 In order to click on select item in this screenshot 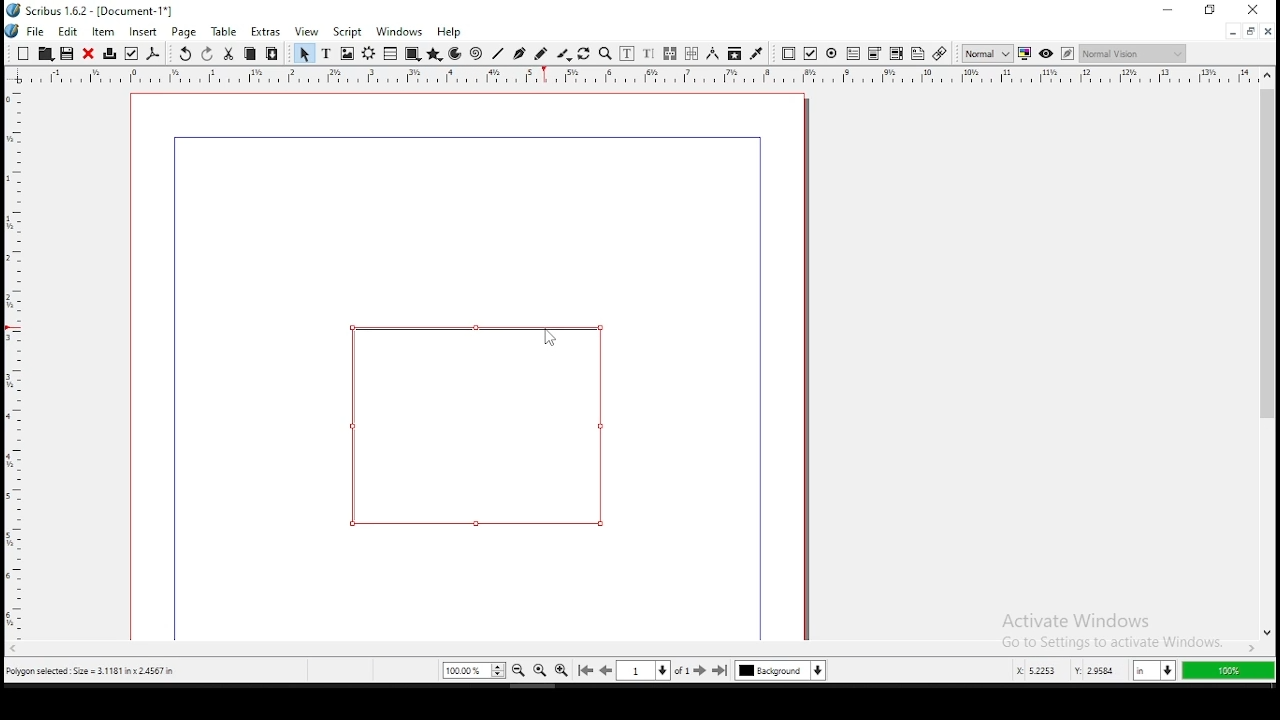, I will do `click(304, 53)`.